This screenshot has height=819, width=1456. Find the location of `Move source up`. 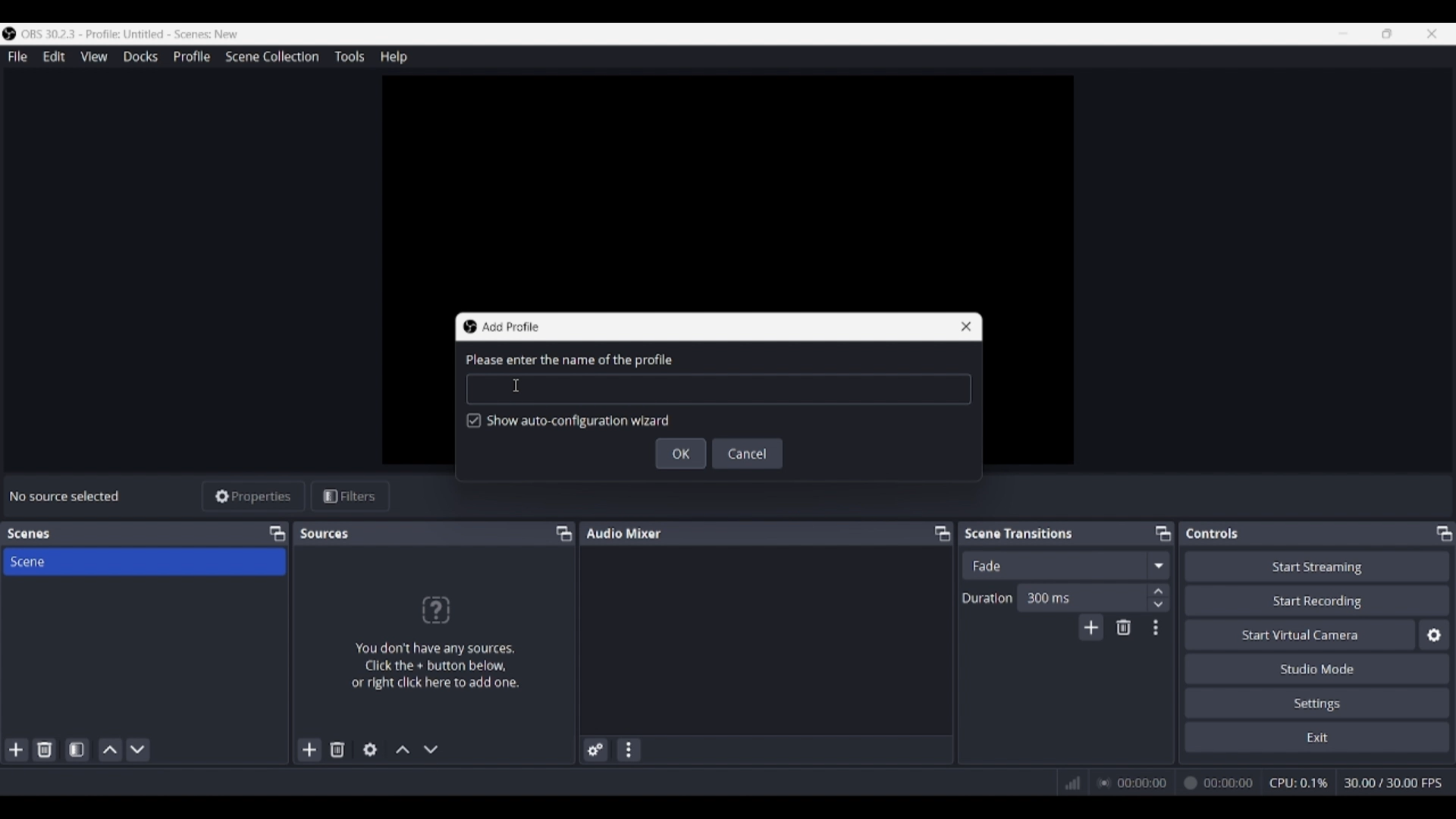

Move source up is located at coordinates (403, 749).